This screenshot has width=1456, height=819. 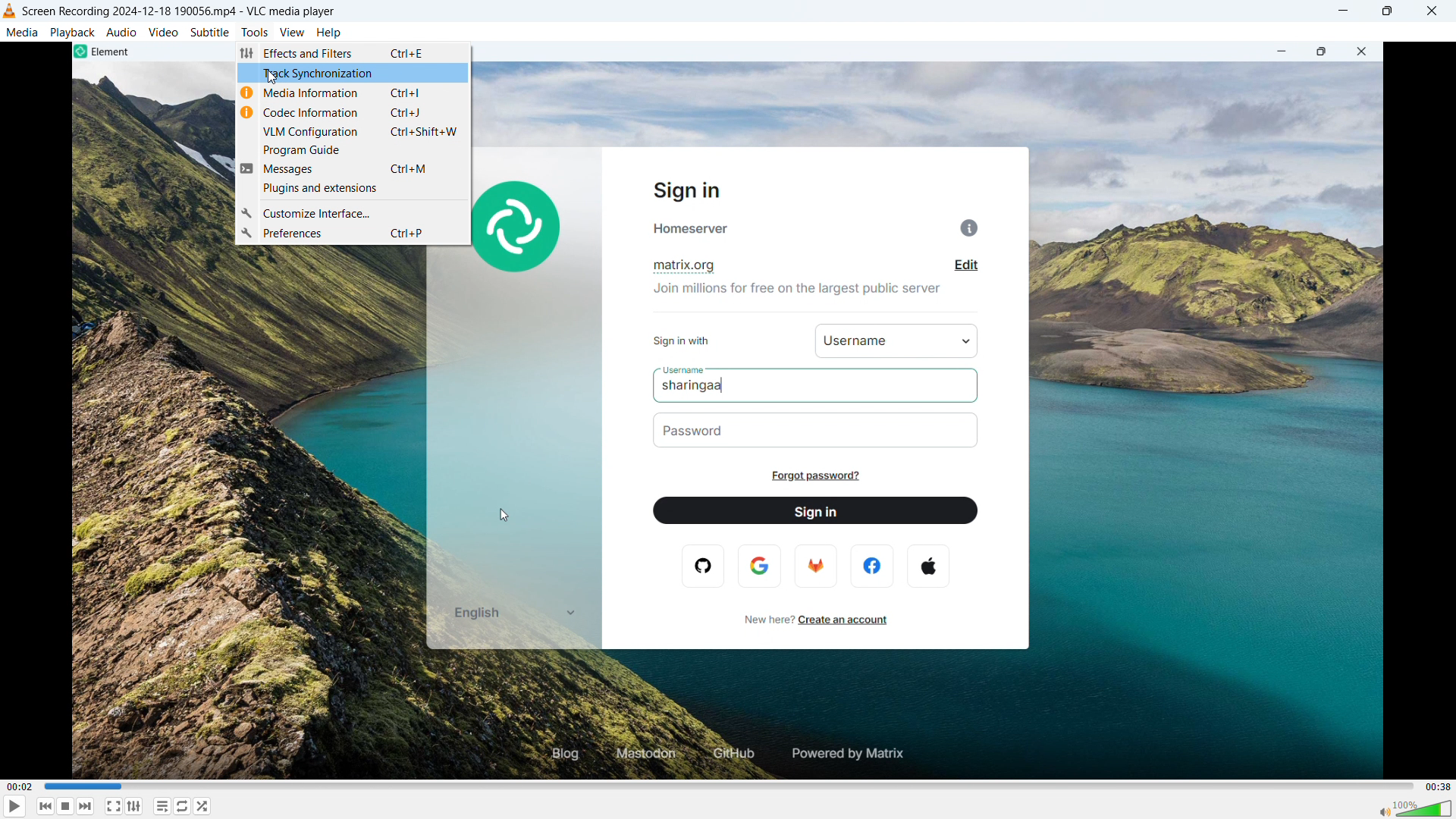 What do you see at coordinates (118, 52) in the screenshot?
I see `element` at bounding box center [118, 52].